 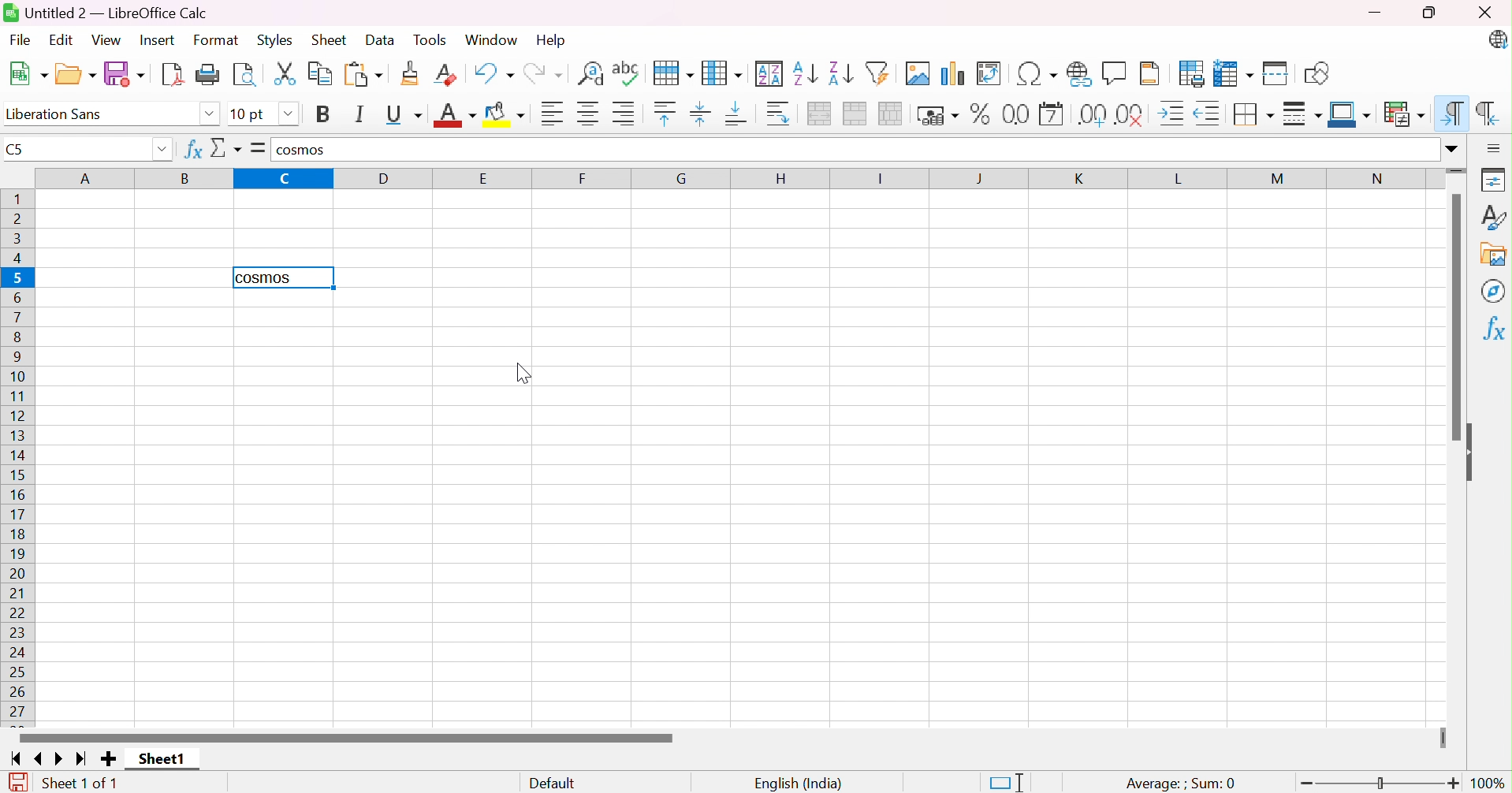 I want to click on Close, so click(x=1488, y=10).